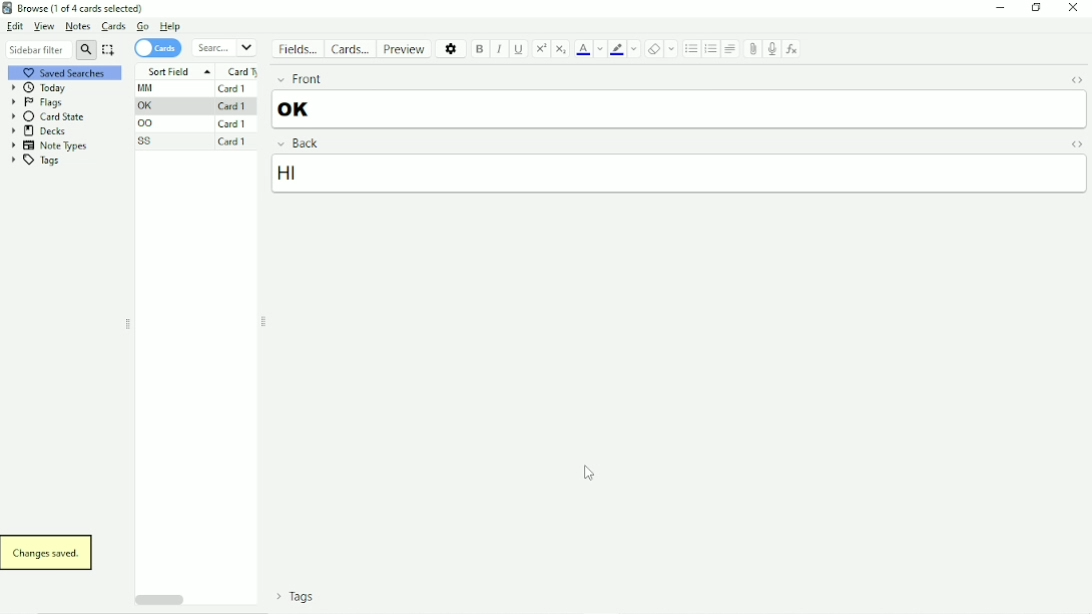 Image resolution: width=1092 pixels, height=614 pixels. I want to click on Front, so click(297, 79).